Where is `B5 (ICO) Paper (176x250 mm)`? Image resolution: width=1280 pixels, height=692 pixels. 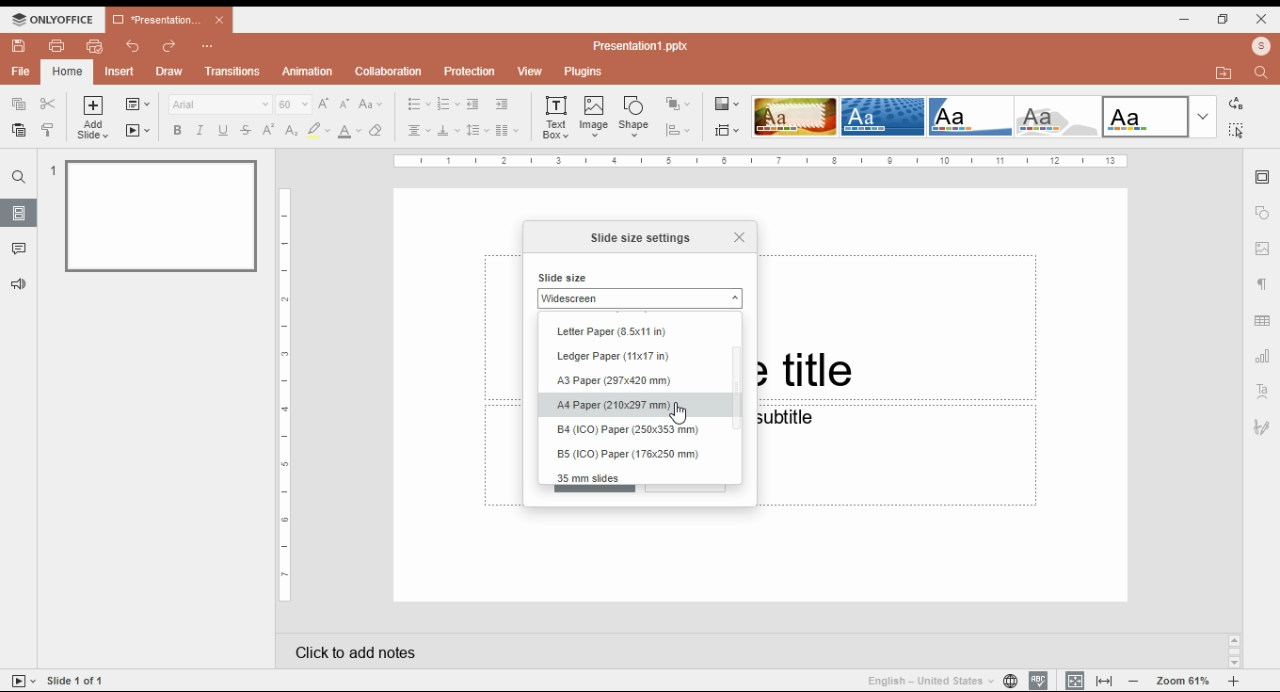
B5 (ICO) Paper (176x250 mm) is located at coordinates (628, 454).